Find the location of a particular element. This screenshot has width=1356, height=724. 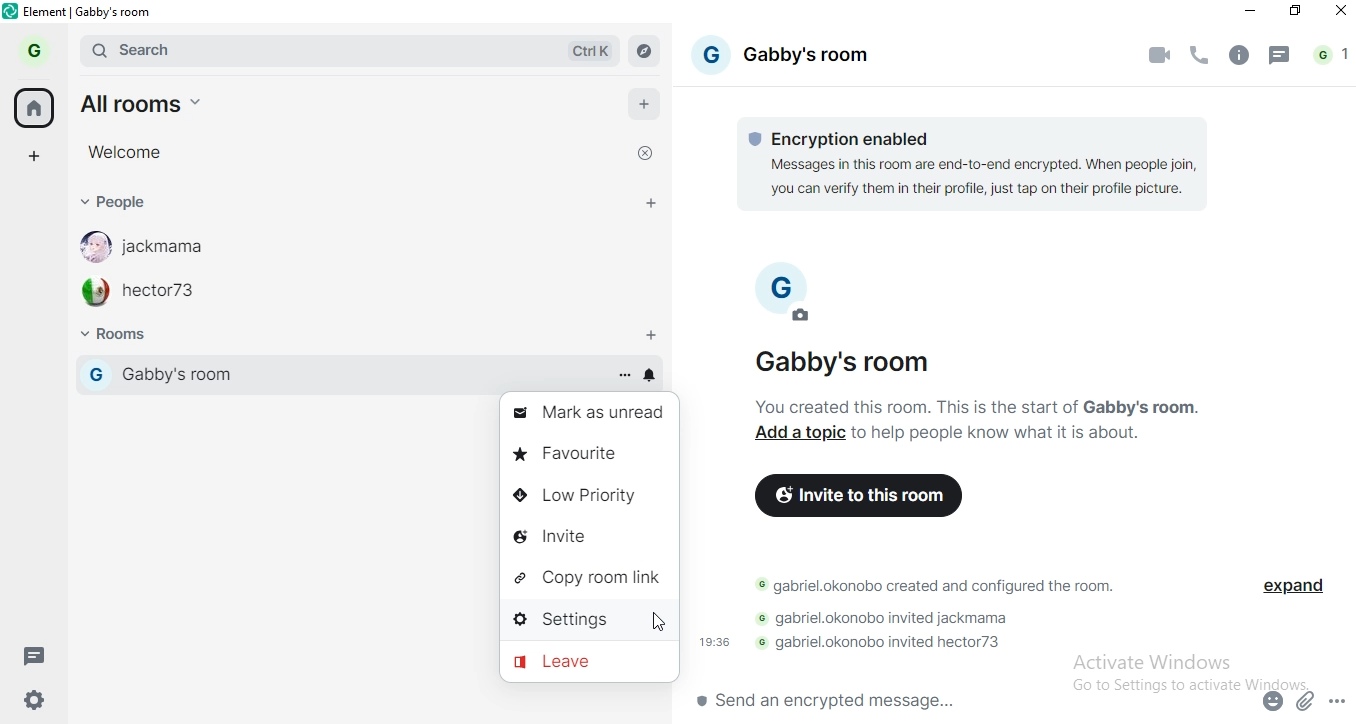

profile is located at coordinates (32, 50).